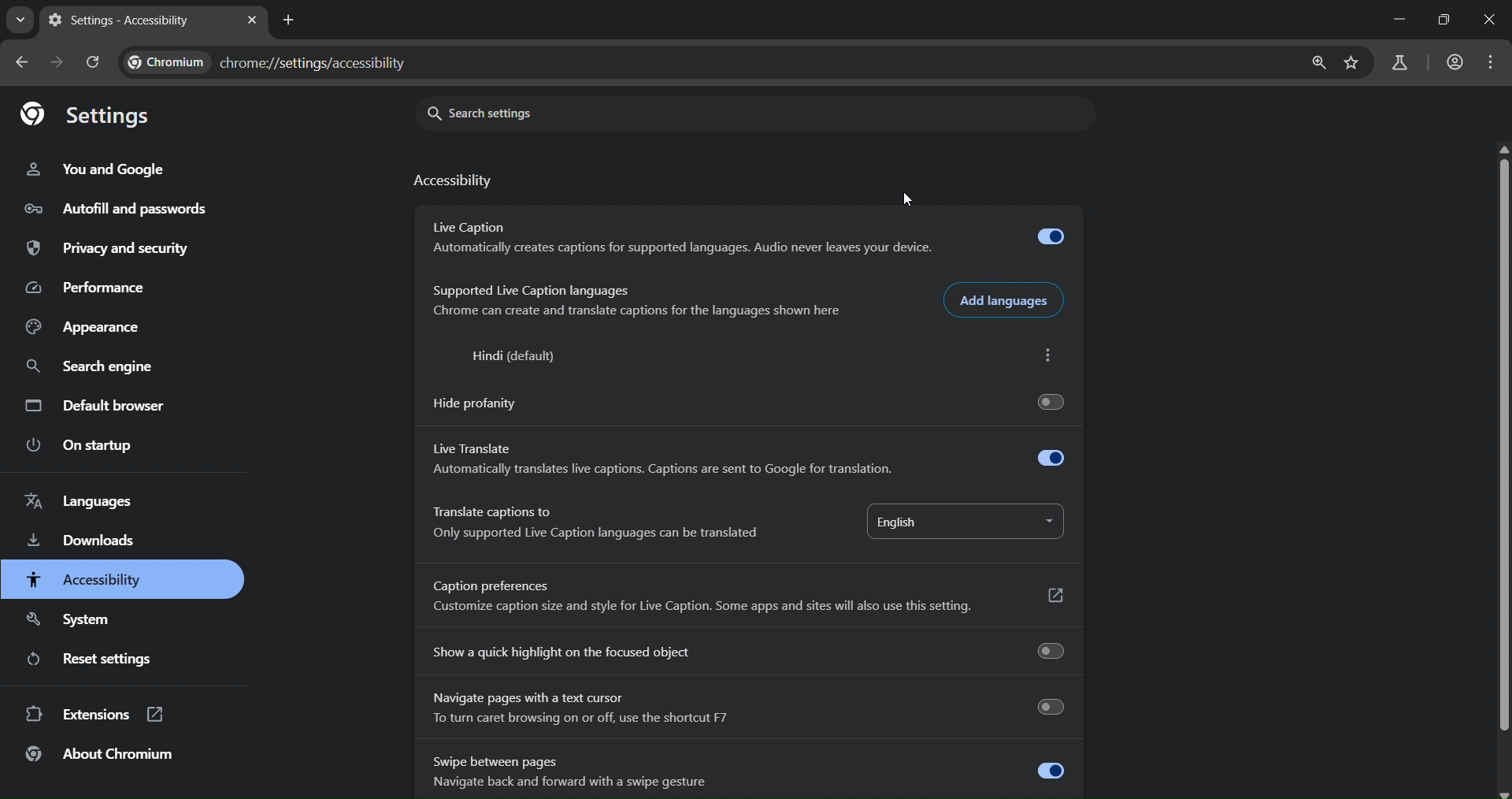  What do you see at coordinates (100, 165) in the screenshot?
I see `you and google` at bounding box center [100, 165].